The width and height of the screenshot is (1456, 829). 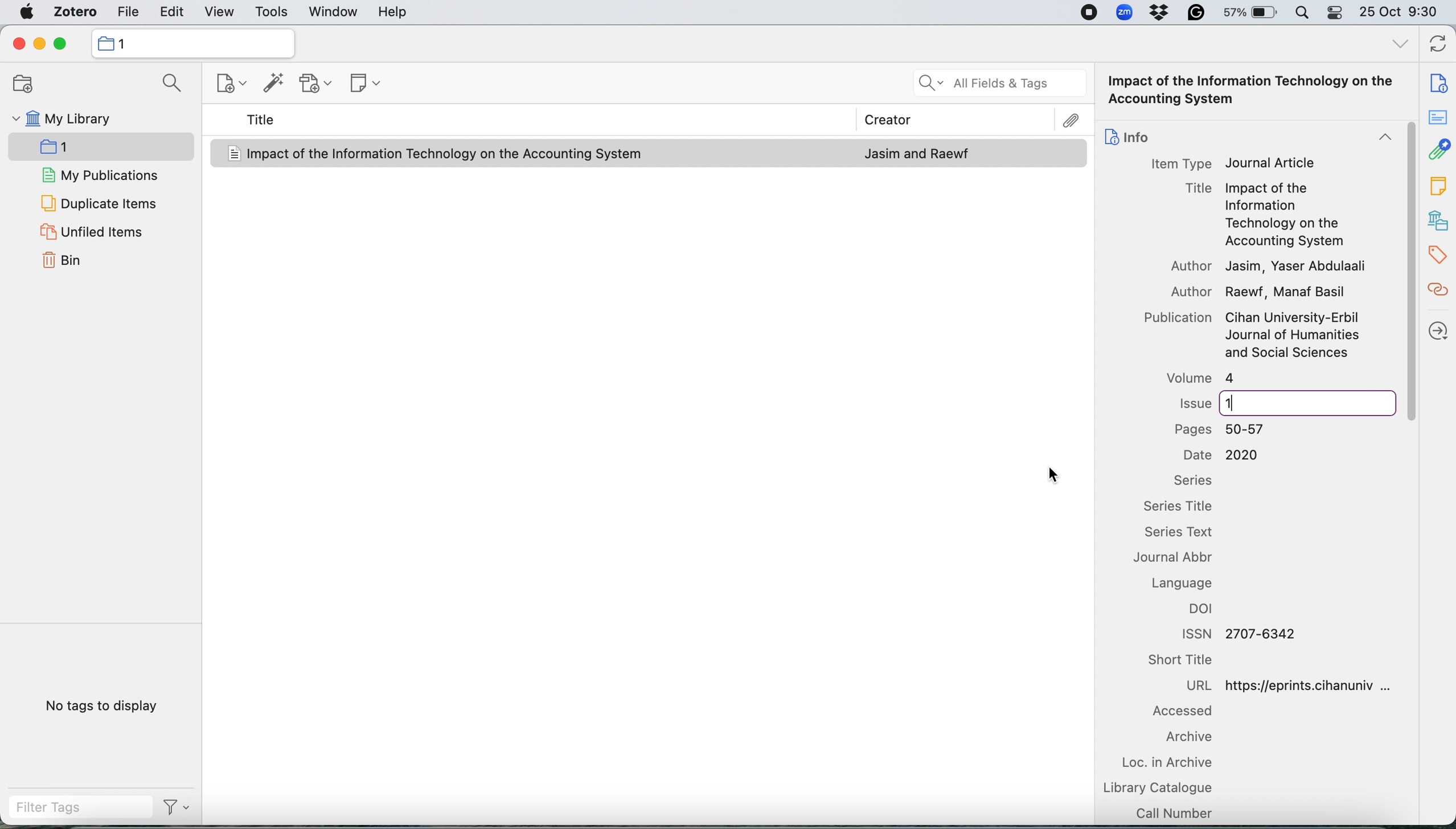 I want to click on collection, so click(x=77, y=145).